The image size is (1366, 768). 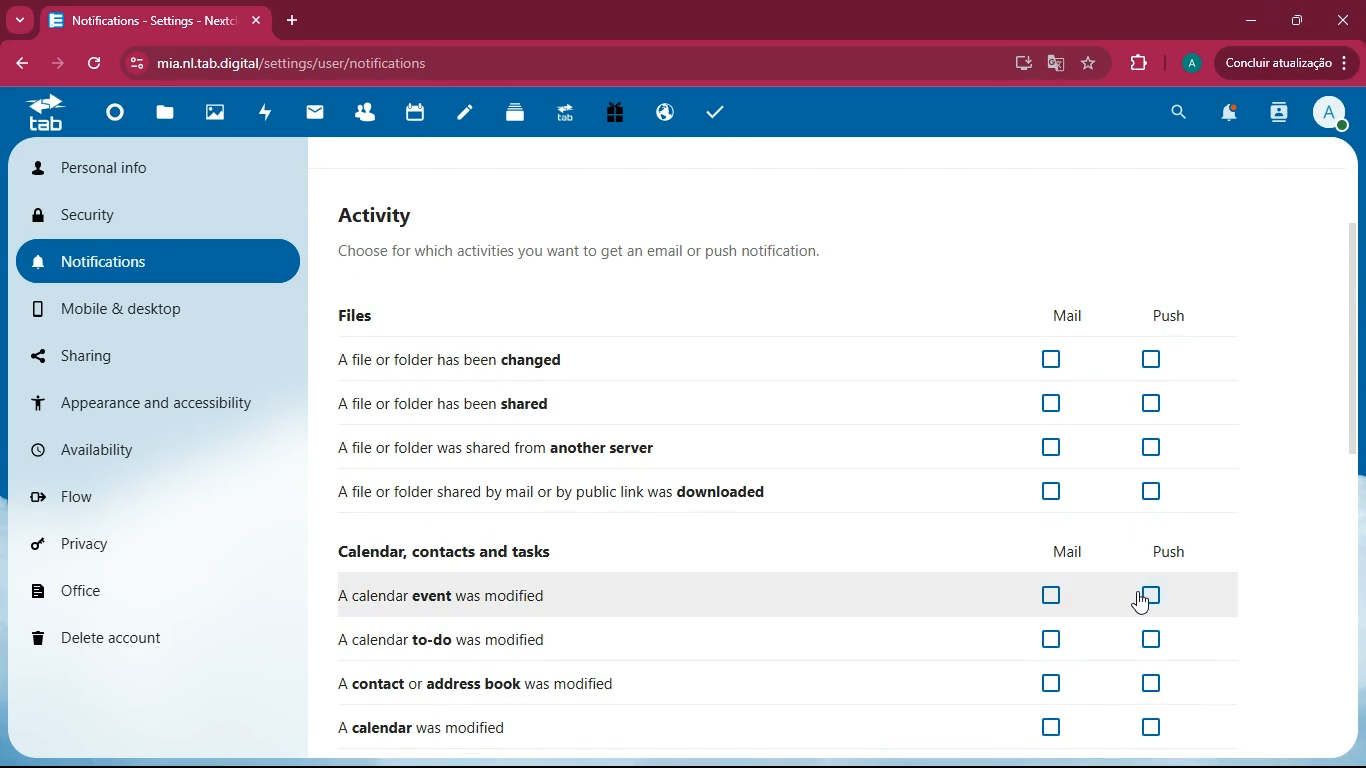 I want to click on Activity, so click(x=582, y=213).